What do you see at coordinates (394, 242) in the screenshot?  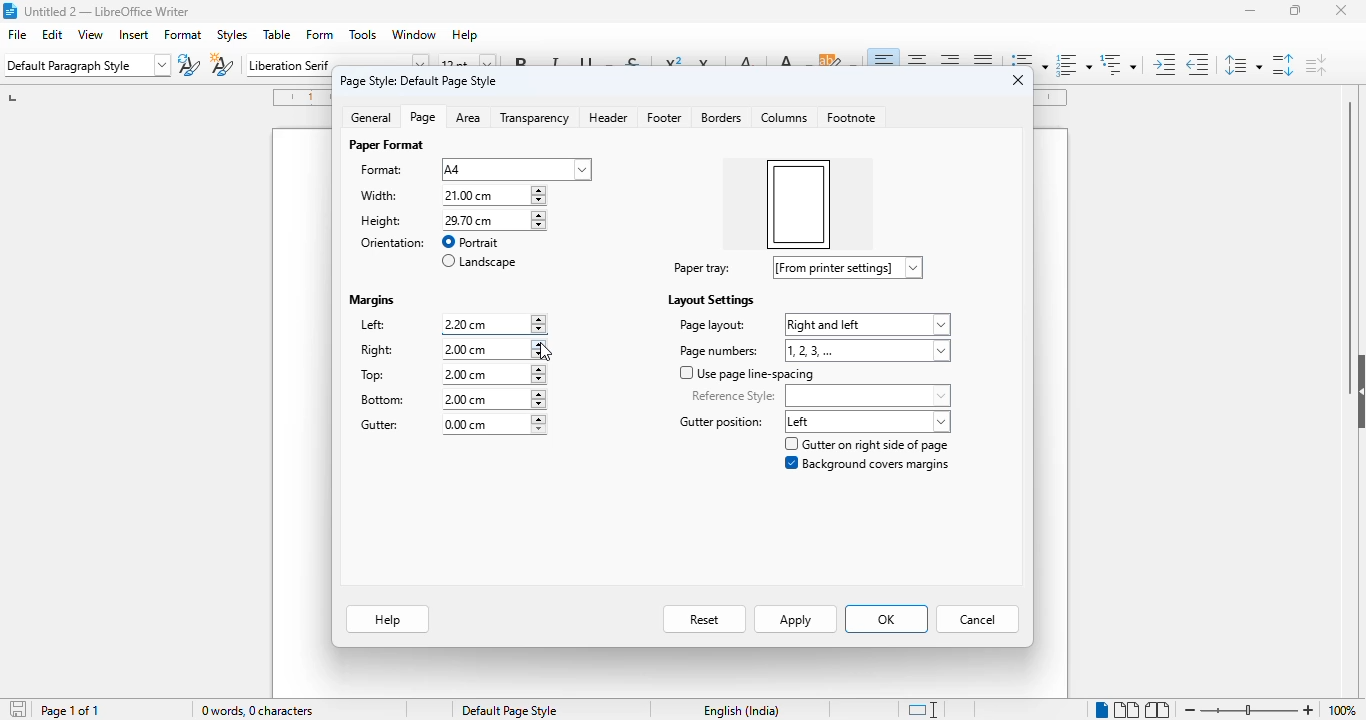 I see `orientation: ` at bounding box center [394, 242].